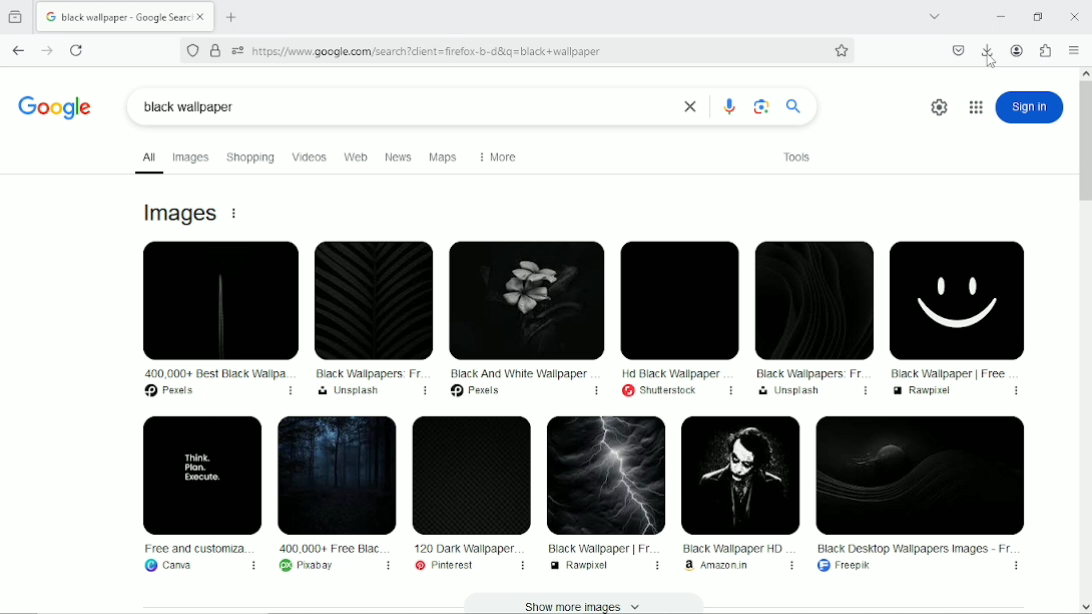 This screenshot has height=614, width=1092. Describe the element at coordinates (193, 49) in the screenshot. I see `No trackers known to Firefox were detected on this page` at that location.